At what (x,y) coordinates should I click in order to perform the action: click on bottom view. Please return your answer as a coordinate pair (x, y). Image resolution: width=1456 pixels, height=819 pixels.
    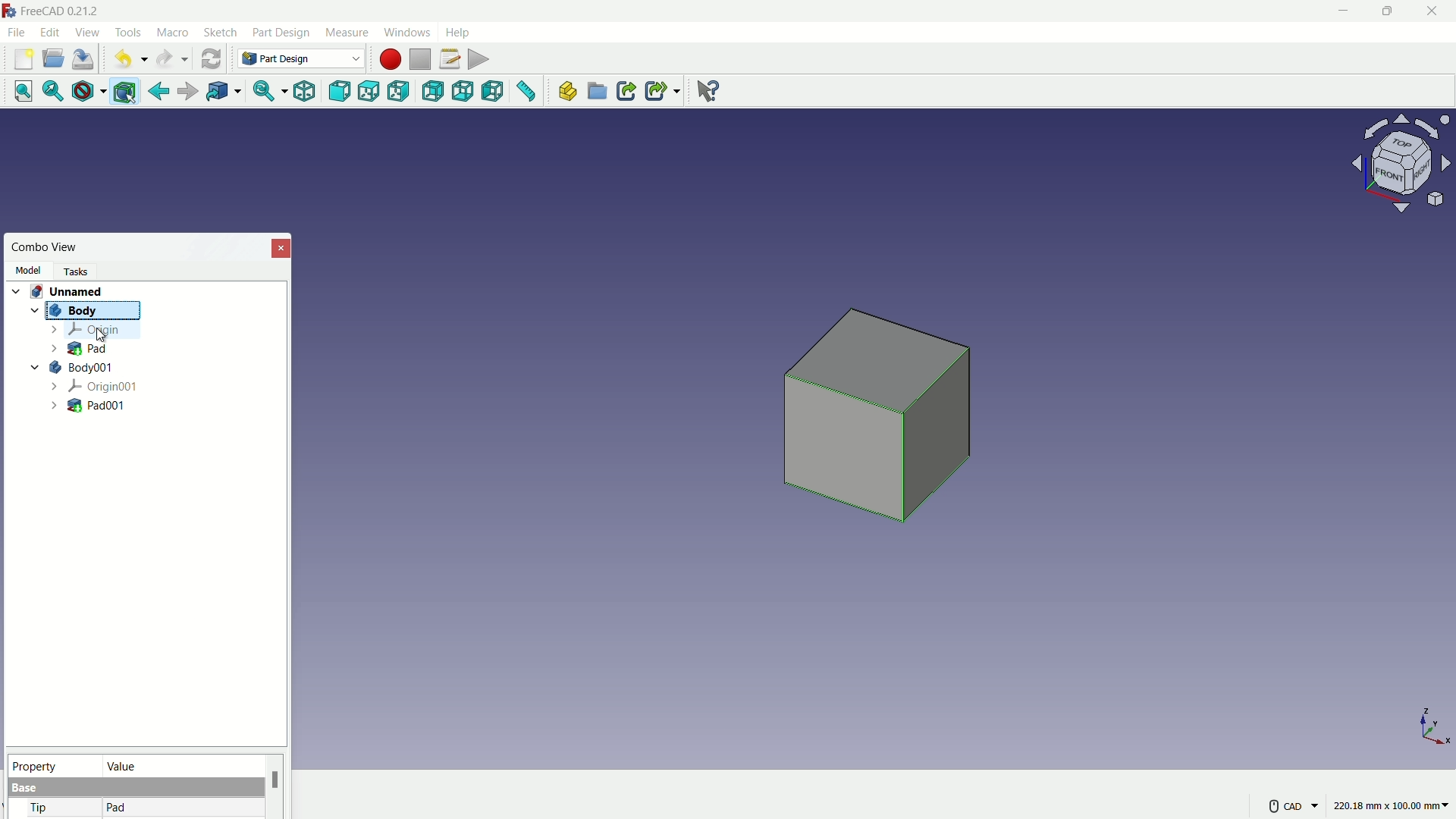
    Looking at the image, I should click on (465, 92).